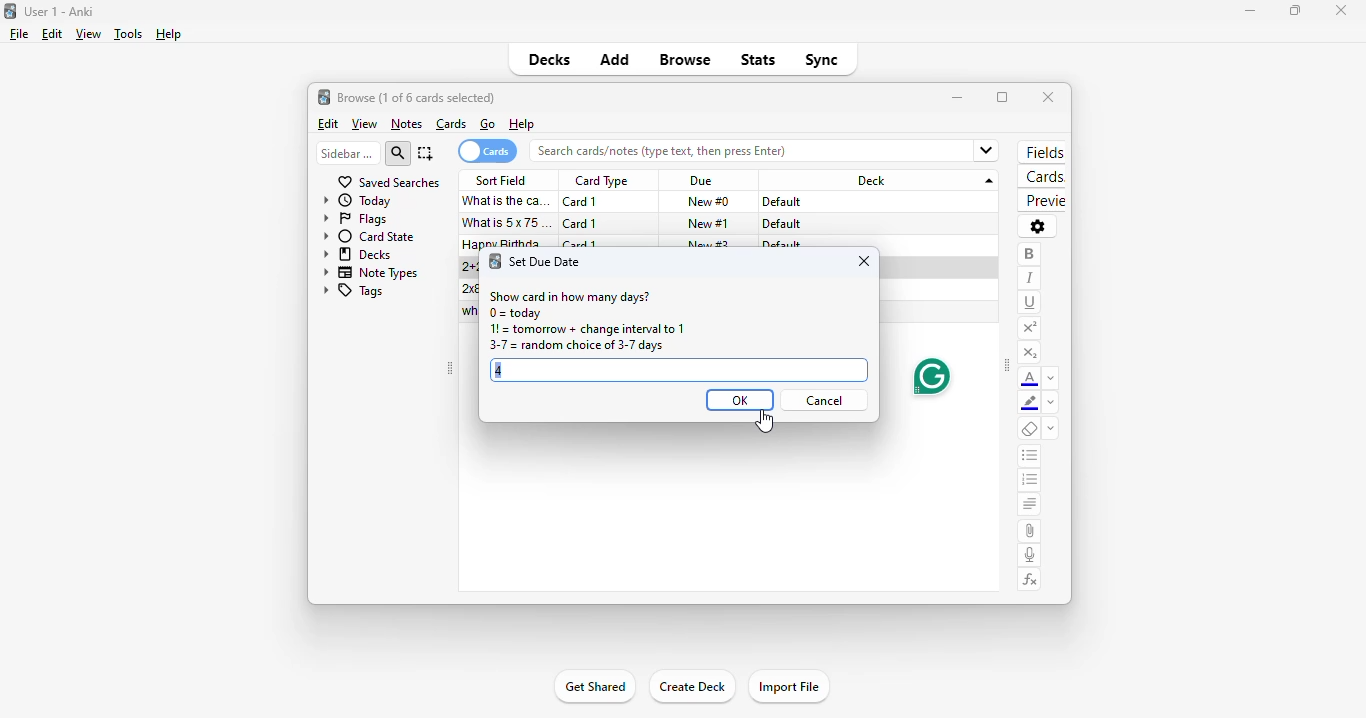 The width and height of the screenshot is (1366, 718). Describe the element at coordinates (509, 222) in the screenshot. I see `what is 5x75=?` at that location.